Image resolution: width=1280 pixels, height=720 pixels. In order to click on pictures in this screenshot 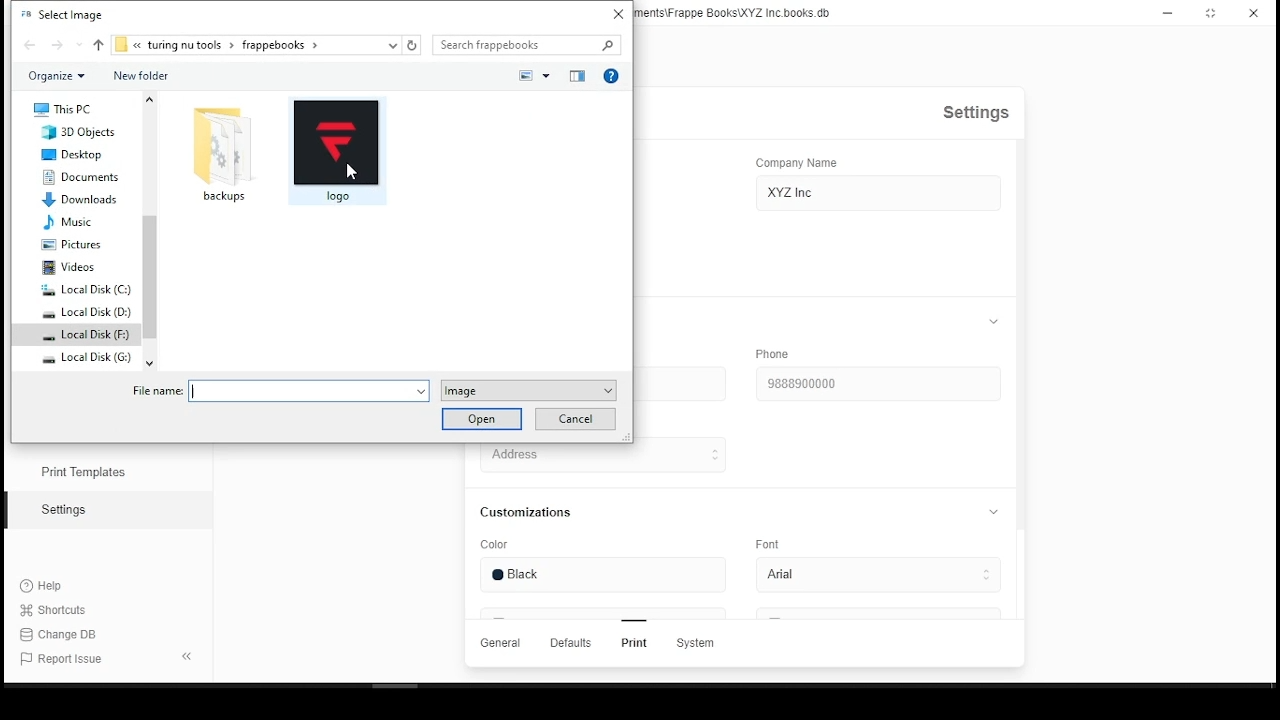, I will do `click(75, 245)`.